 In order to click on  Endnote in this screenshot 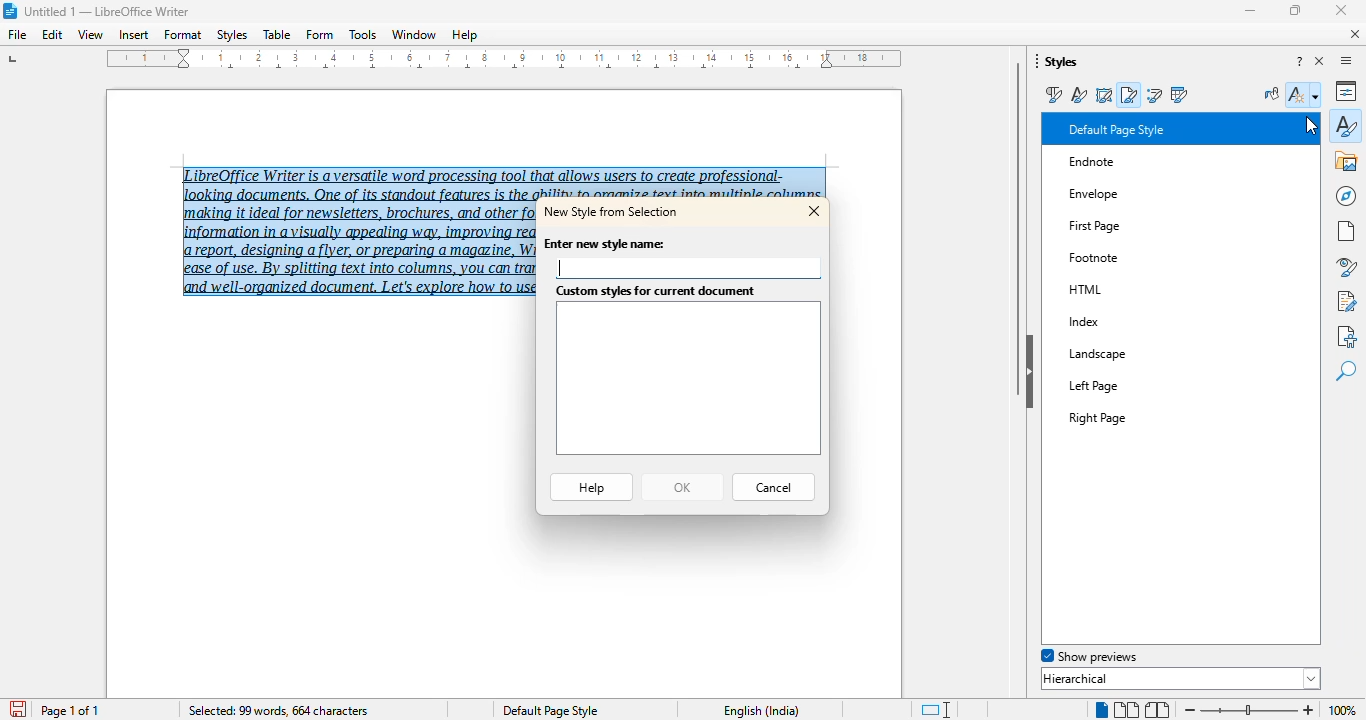, I will do `click(1153, 165)`.